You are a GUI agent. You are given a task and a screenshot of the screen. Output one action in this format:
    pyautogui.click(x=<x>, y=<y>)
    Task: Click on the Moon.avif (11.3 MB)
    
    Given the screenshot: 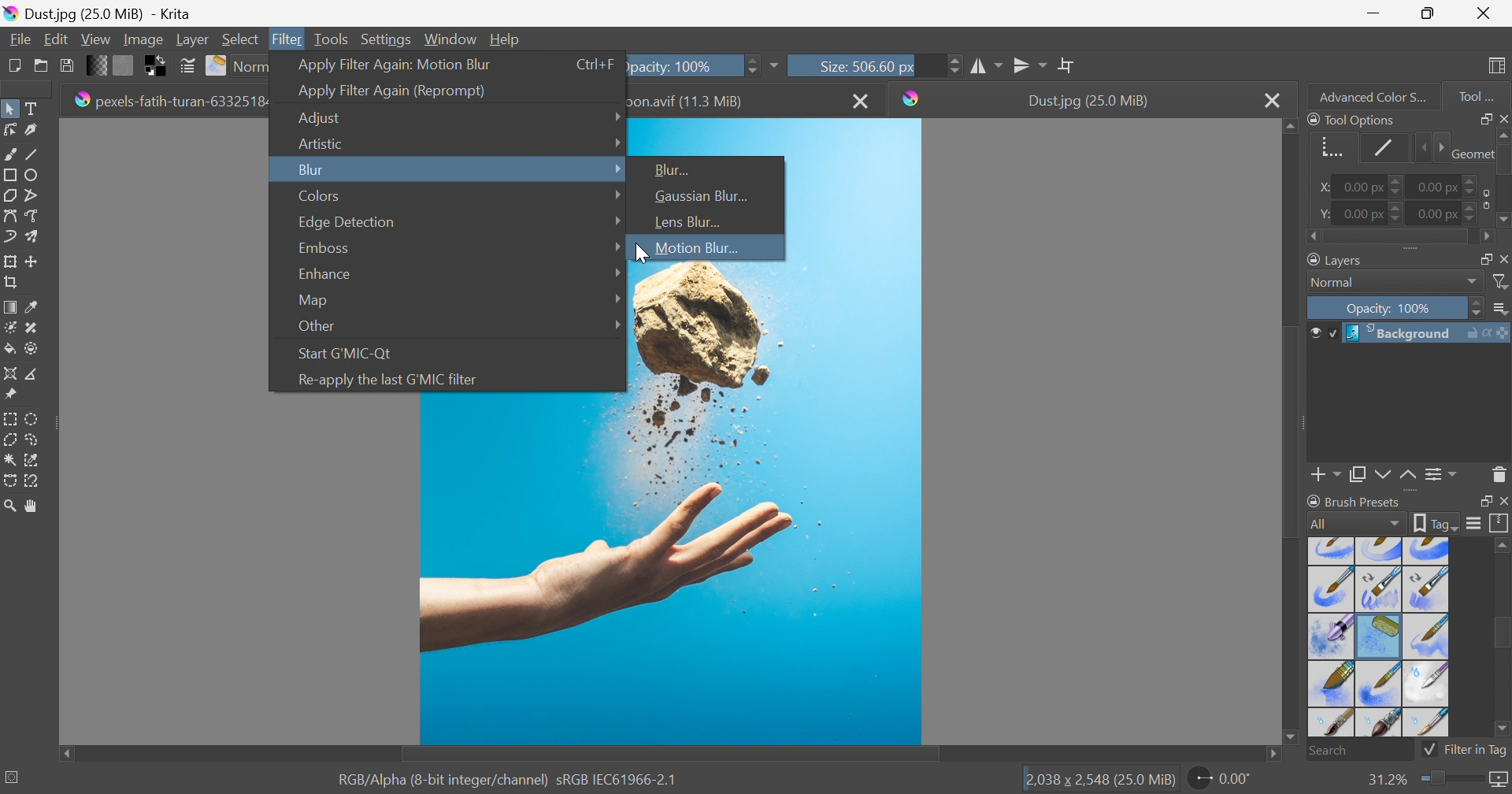 What is the action you would take?
    pyautogui.click(x=690, y=100)
    